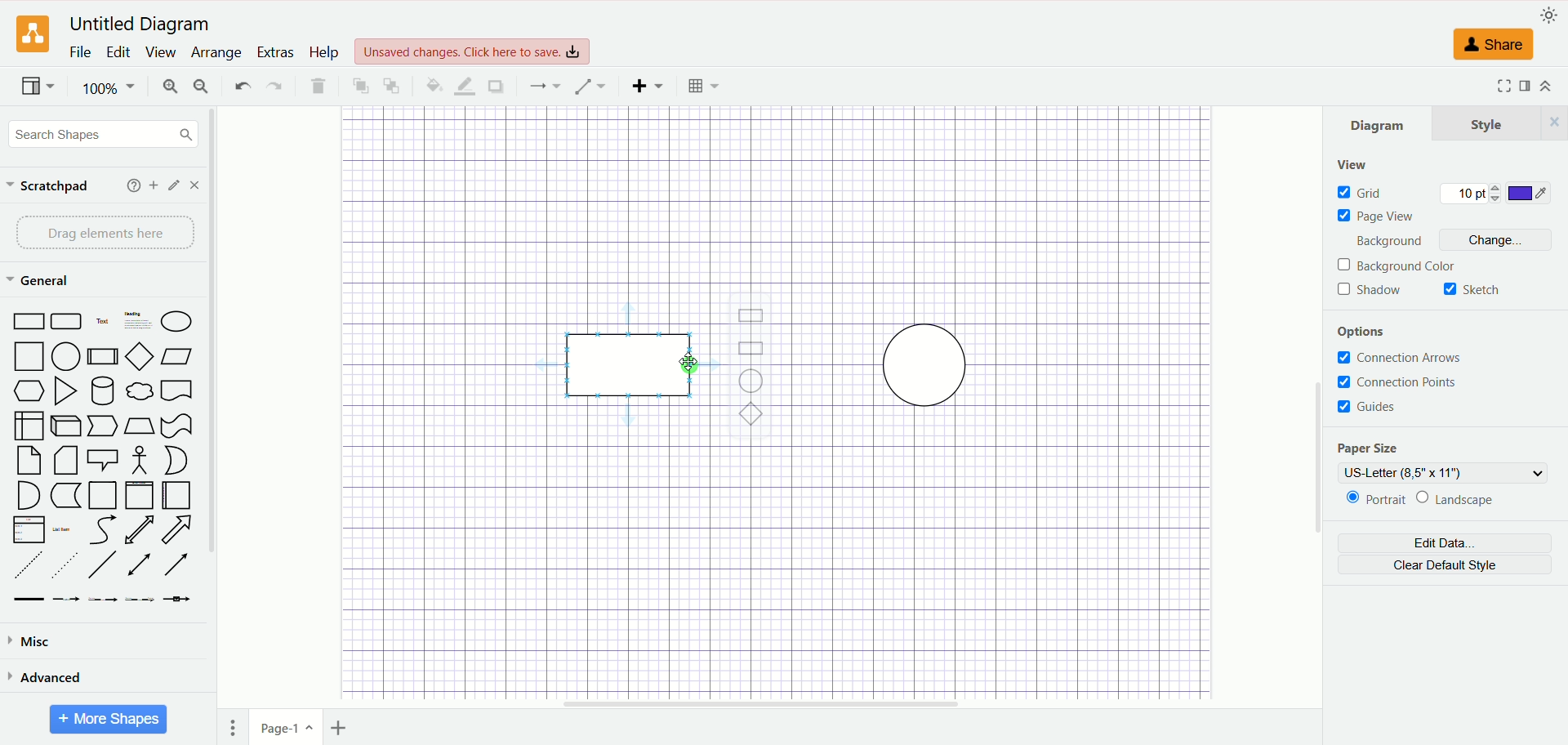 The width and height of the screenshot is (1568, 745). Describe the element at coordinates (141, 603) in the screenshot. I see `Connector with 3 Labels` at that location.